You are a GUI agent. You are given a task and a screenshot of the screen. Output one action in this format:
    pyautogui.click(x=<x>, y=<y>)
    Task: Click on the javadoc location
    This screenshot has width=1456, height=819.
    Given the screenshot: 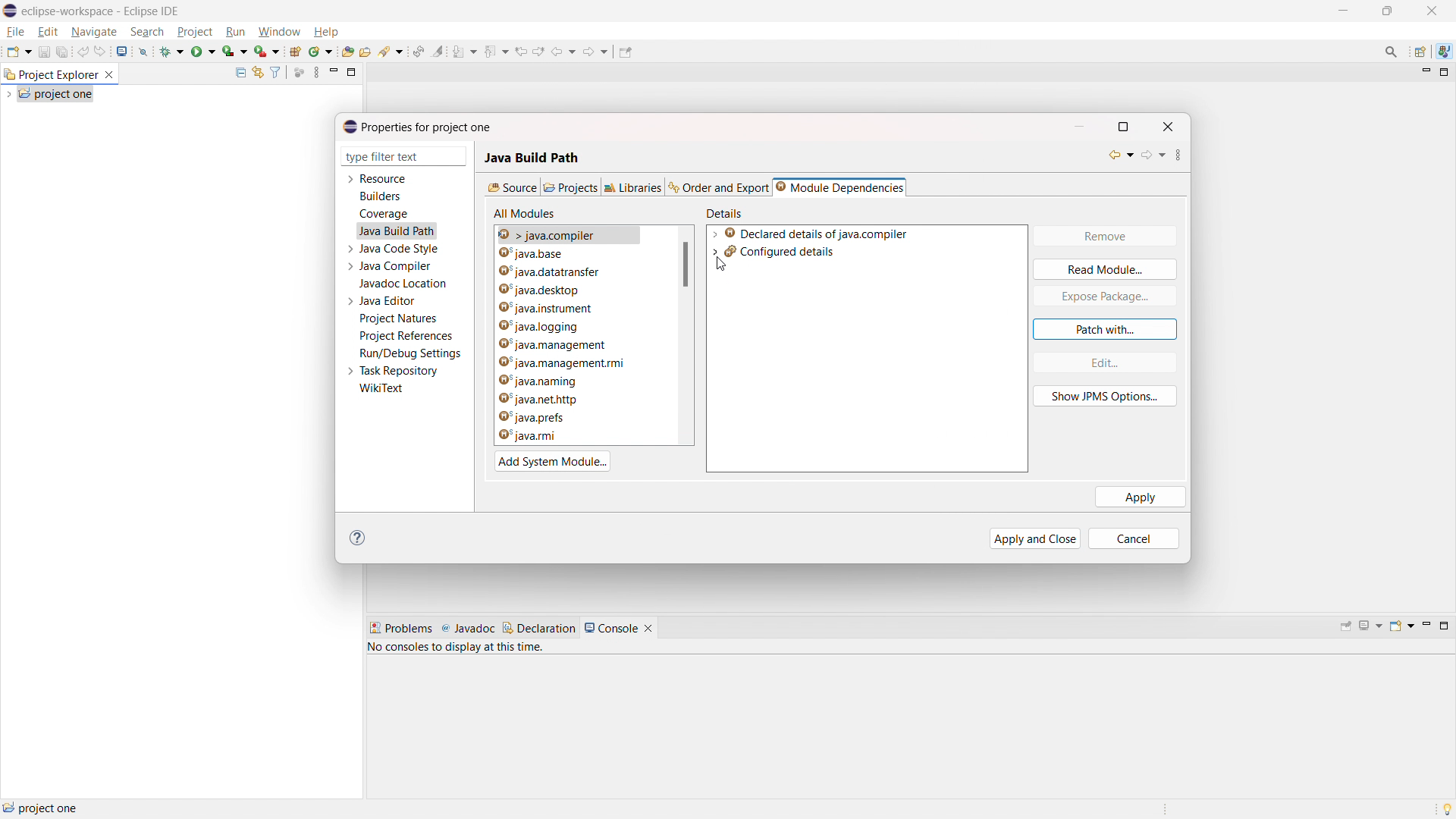 What is the action you would take?
    pyautogui.click(x=404, y=284)
    